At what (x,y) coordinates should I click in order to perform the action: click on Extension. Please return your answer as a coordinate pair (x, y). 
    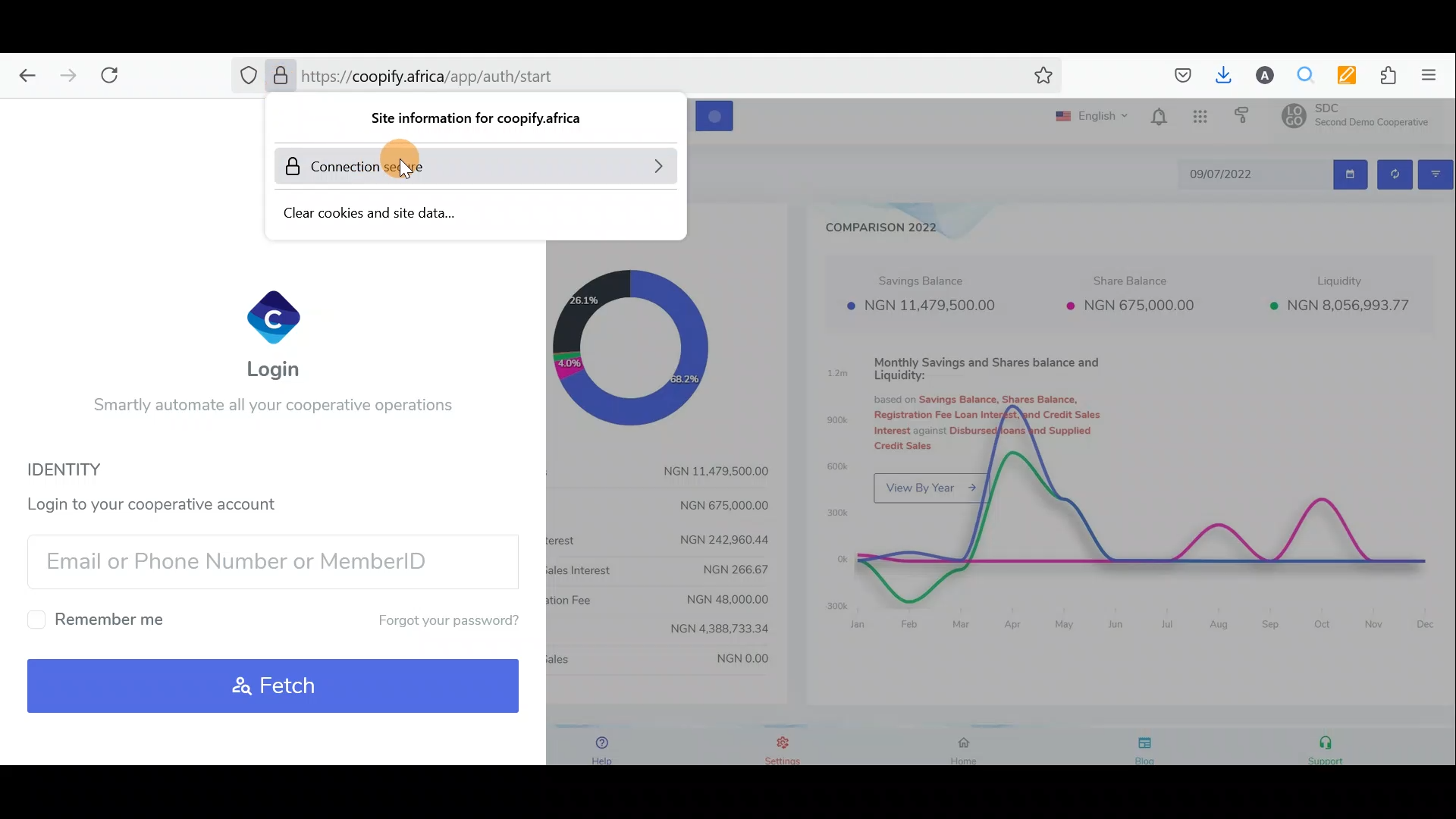
    Looking at the image, I should click on (1382, 76).